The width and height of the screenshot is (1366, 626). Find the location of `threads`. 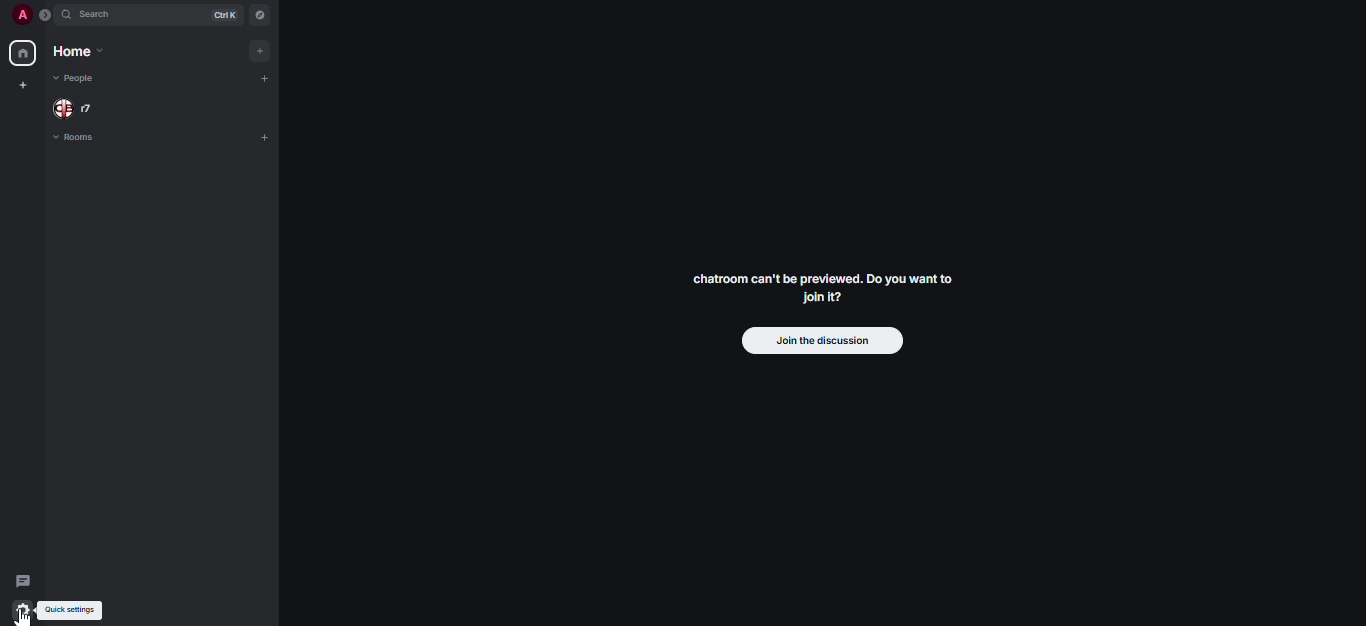

threads is located at coordinates (22, 581).